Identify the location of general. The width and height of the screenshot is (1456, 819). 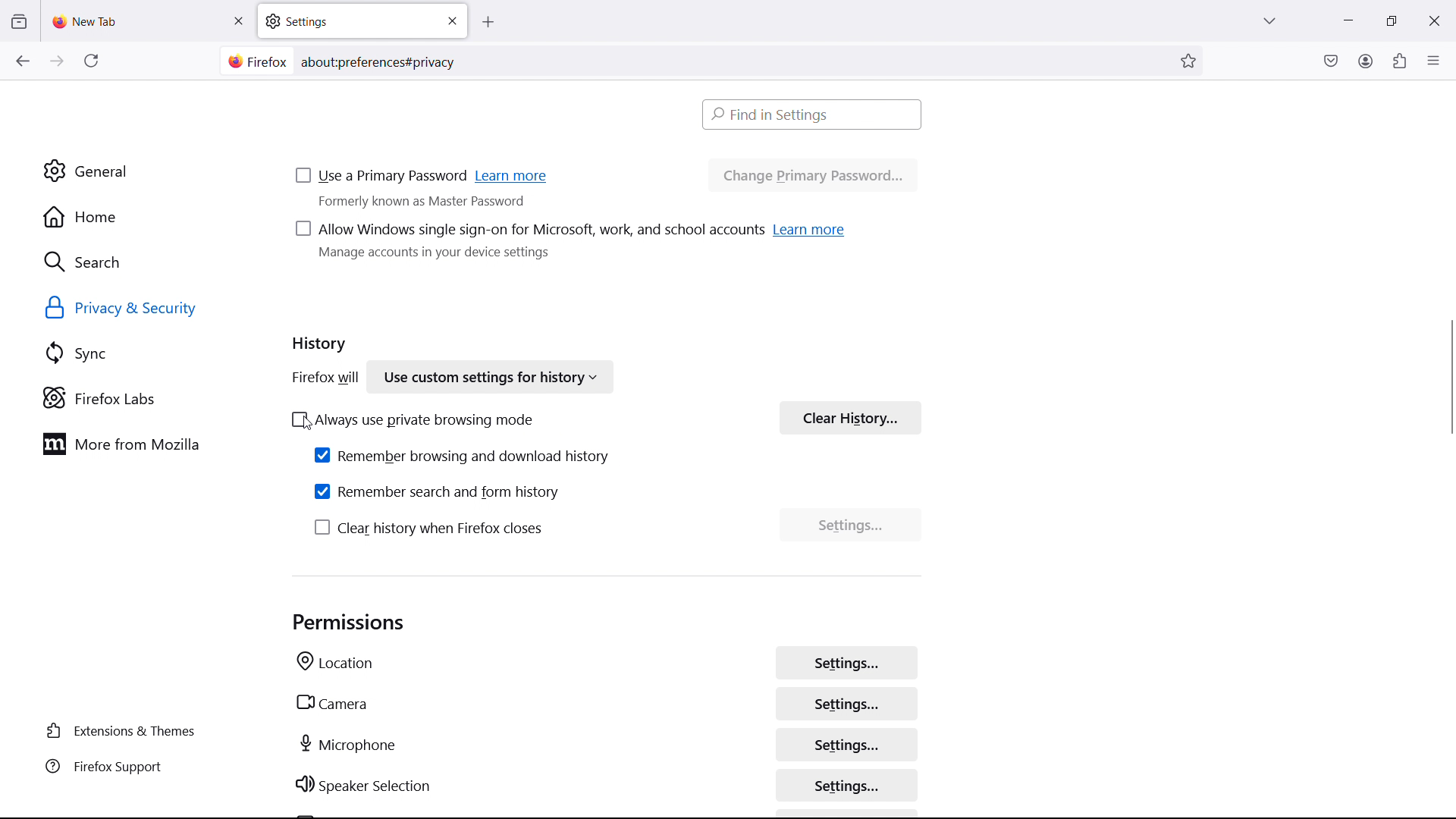
(143, 171).